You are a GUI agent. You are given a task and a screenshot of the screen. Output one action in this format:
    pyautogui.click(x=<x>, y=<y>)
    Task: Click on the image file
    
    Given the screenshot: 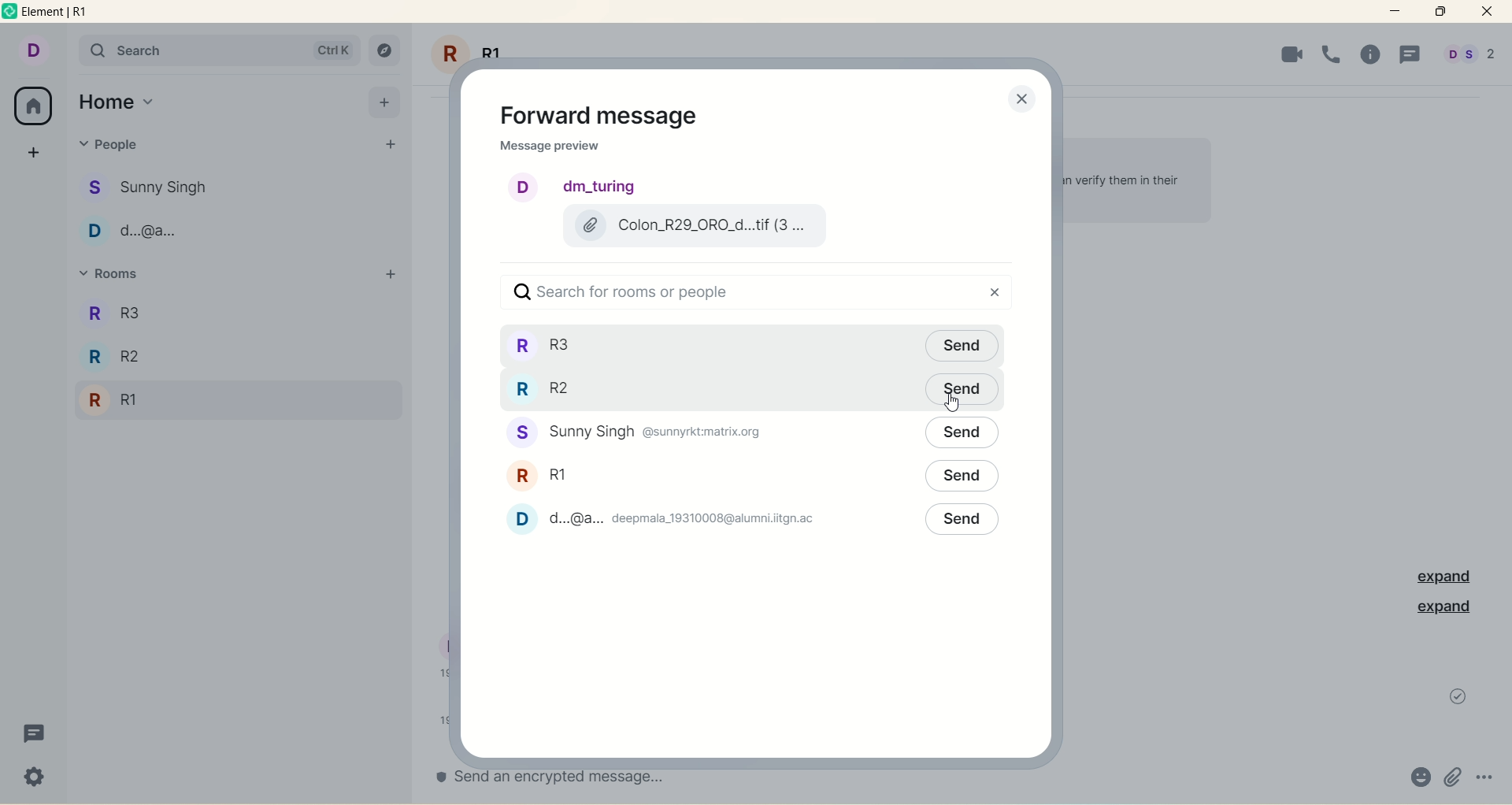 What is the action you would take?
    pyautogui.click(x=691, y=226)
    